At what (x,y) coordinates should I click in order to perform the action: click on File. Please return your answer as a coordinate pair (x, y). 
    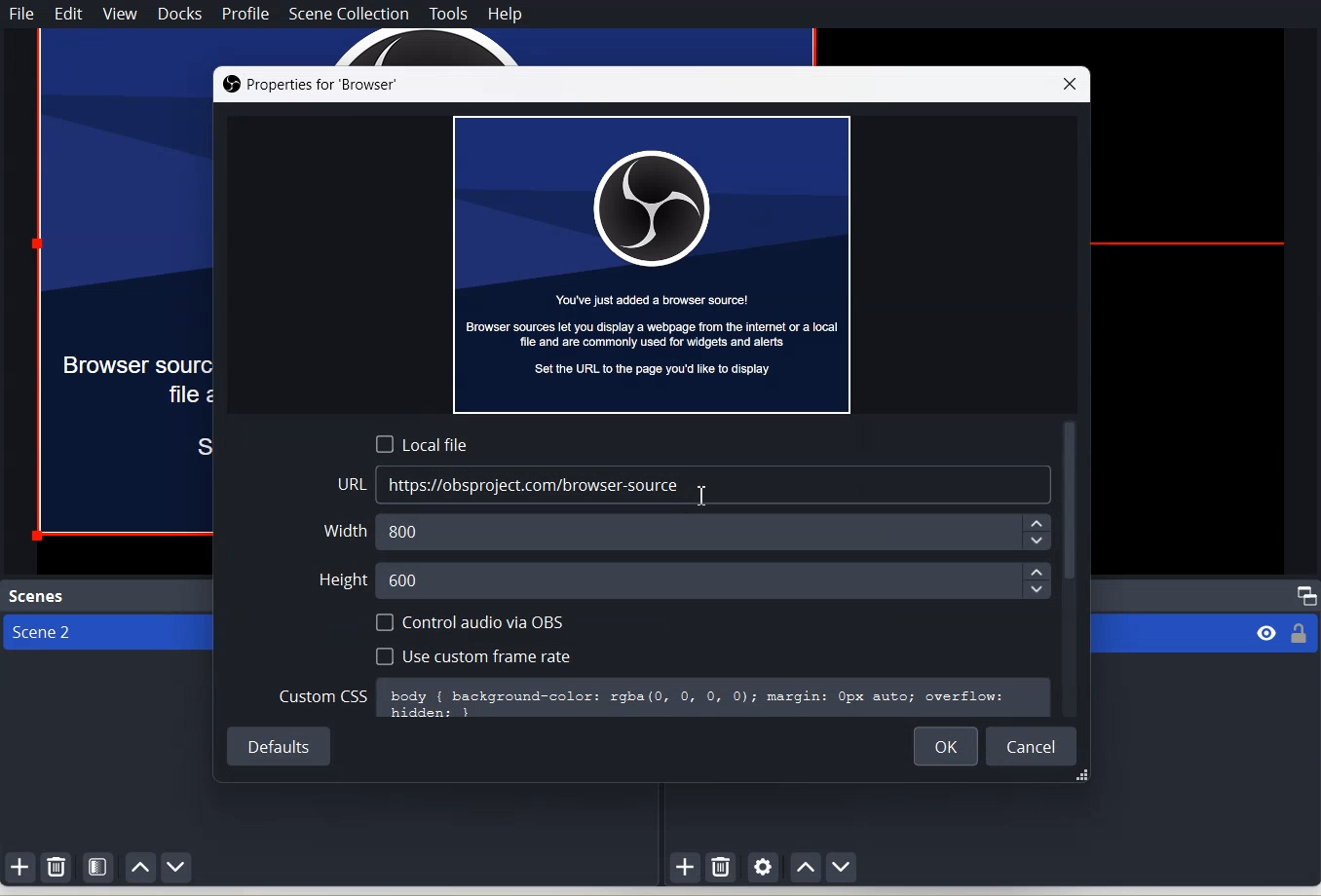
    Looking at the image, I should click on (22, 14).